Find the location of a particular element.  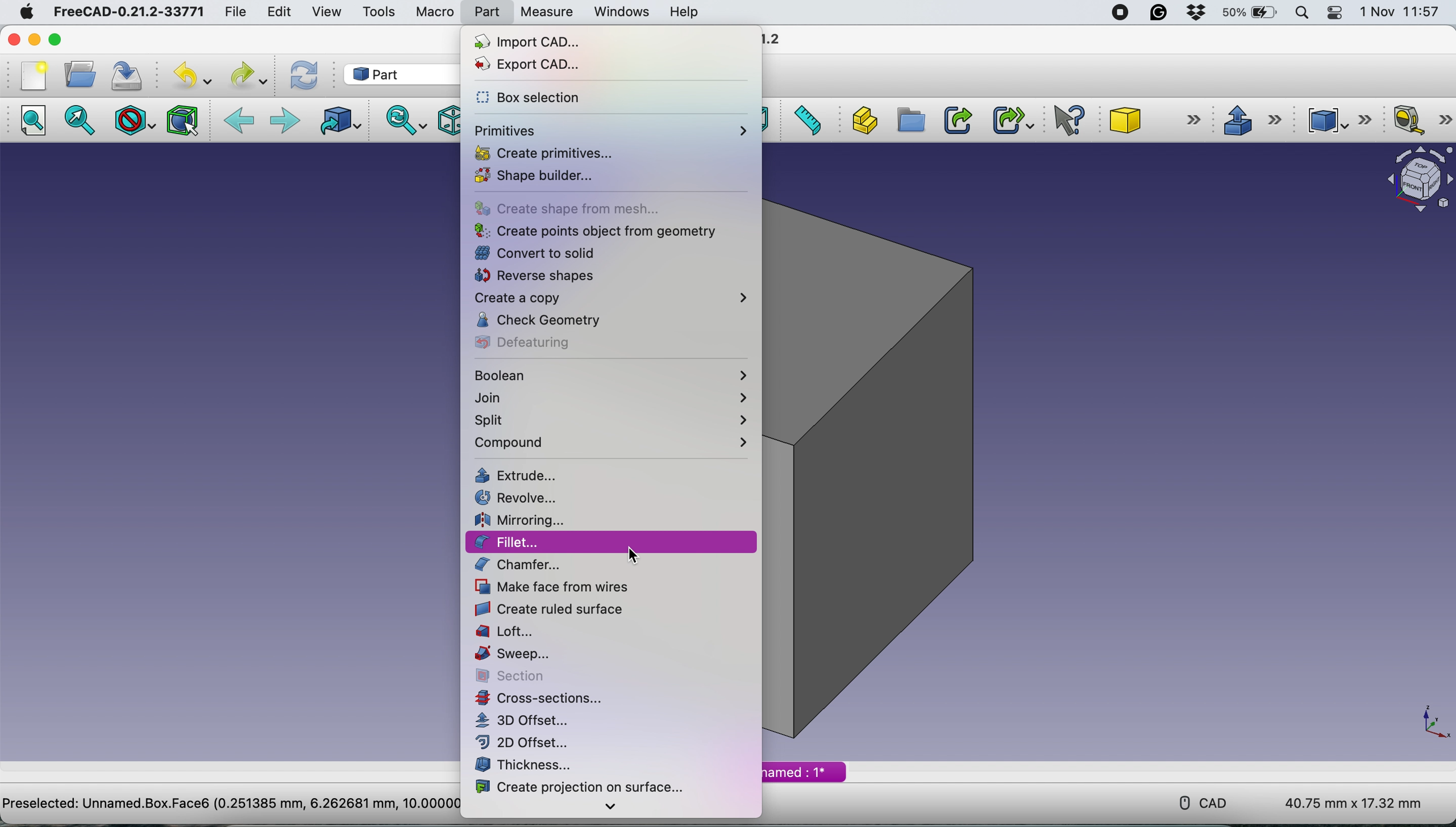

reverse shapes is located at coordinates (537, 277).